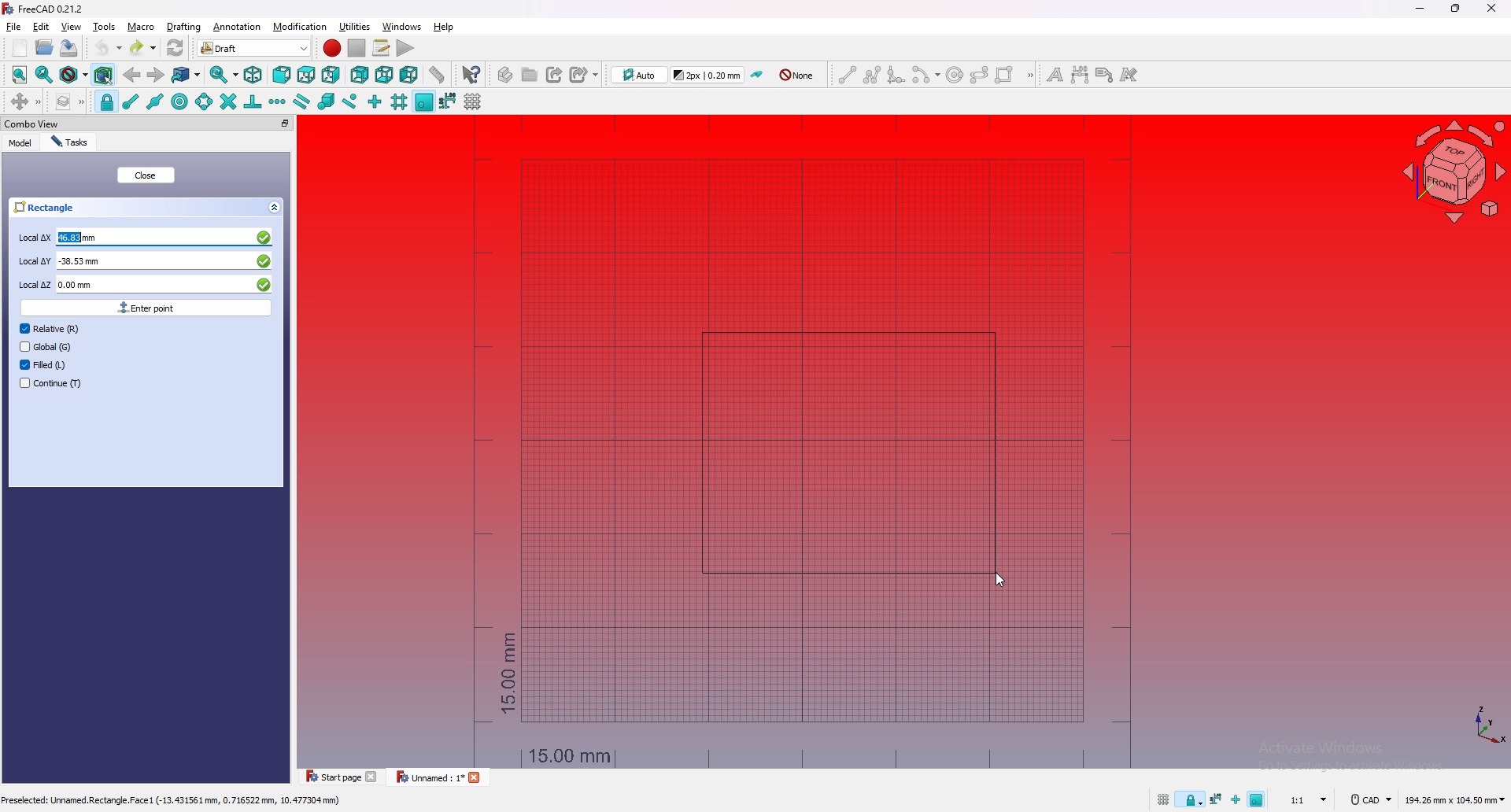 Image resolution: width=1511 pixels, height=812 pixels. What do you see at coordinates (954, 74) in the screenshot?
I see `circle` at bounding box center [954, 74].